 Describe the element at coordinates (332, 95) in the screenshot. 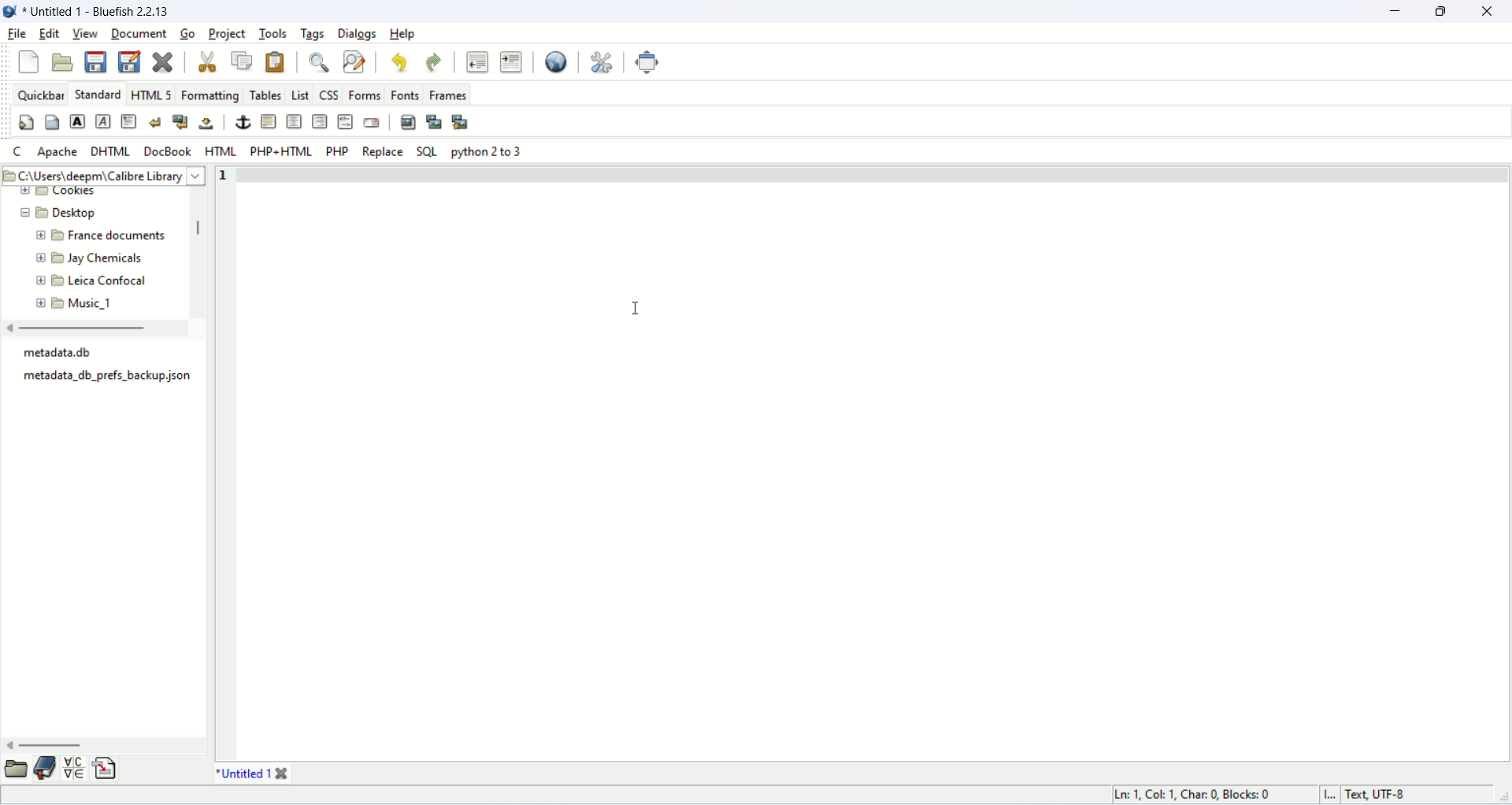

I see `CSS` at that location.